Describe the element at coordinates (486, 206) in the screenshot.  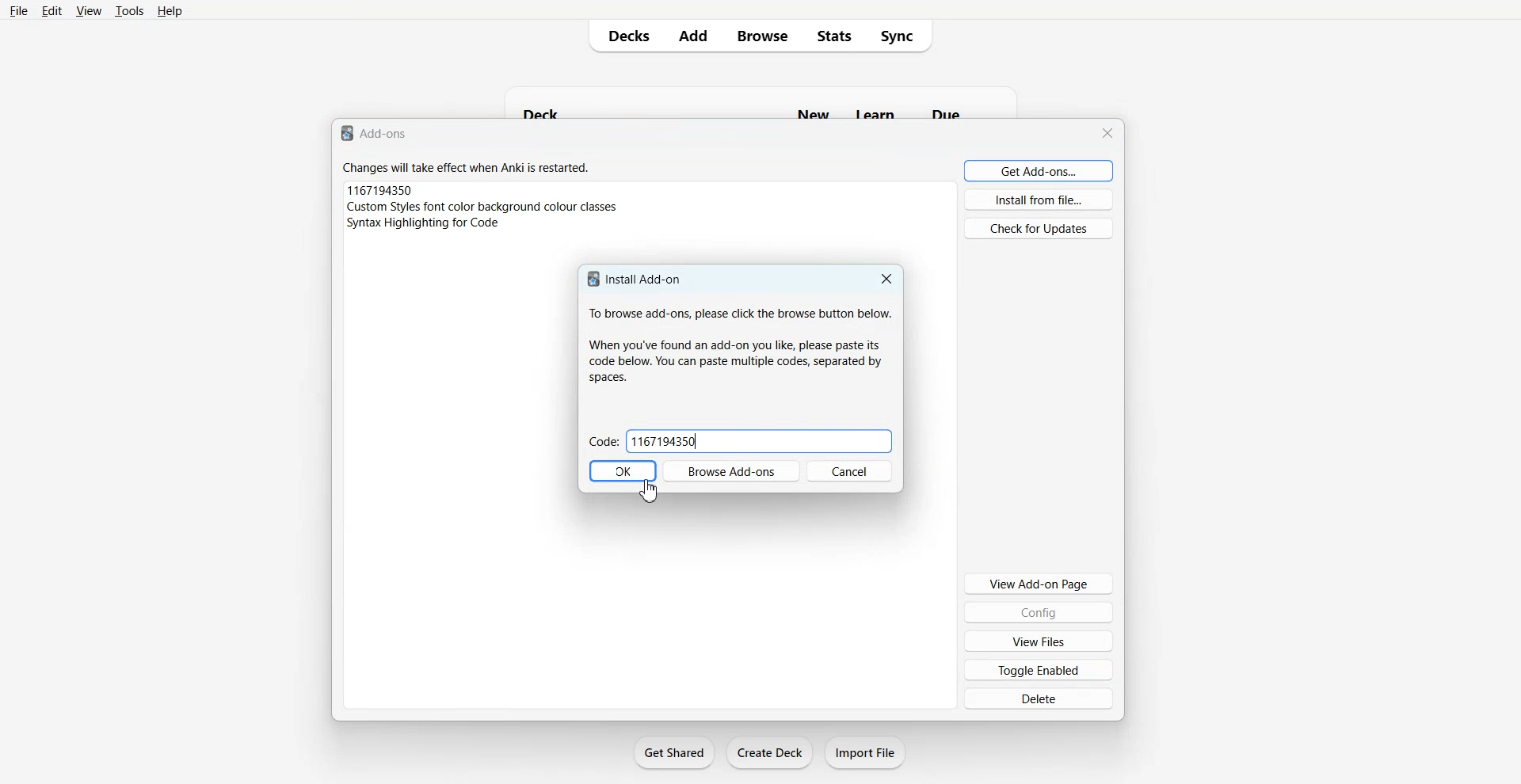
I see `‘Custom Styles font color background colour classes` at that location.